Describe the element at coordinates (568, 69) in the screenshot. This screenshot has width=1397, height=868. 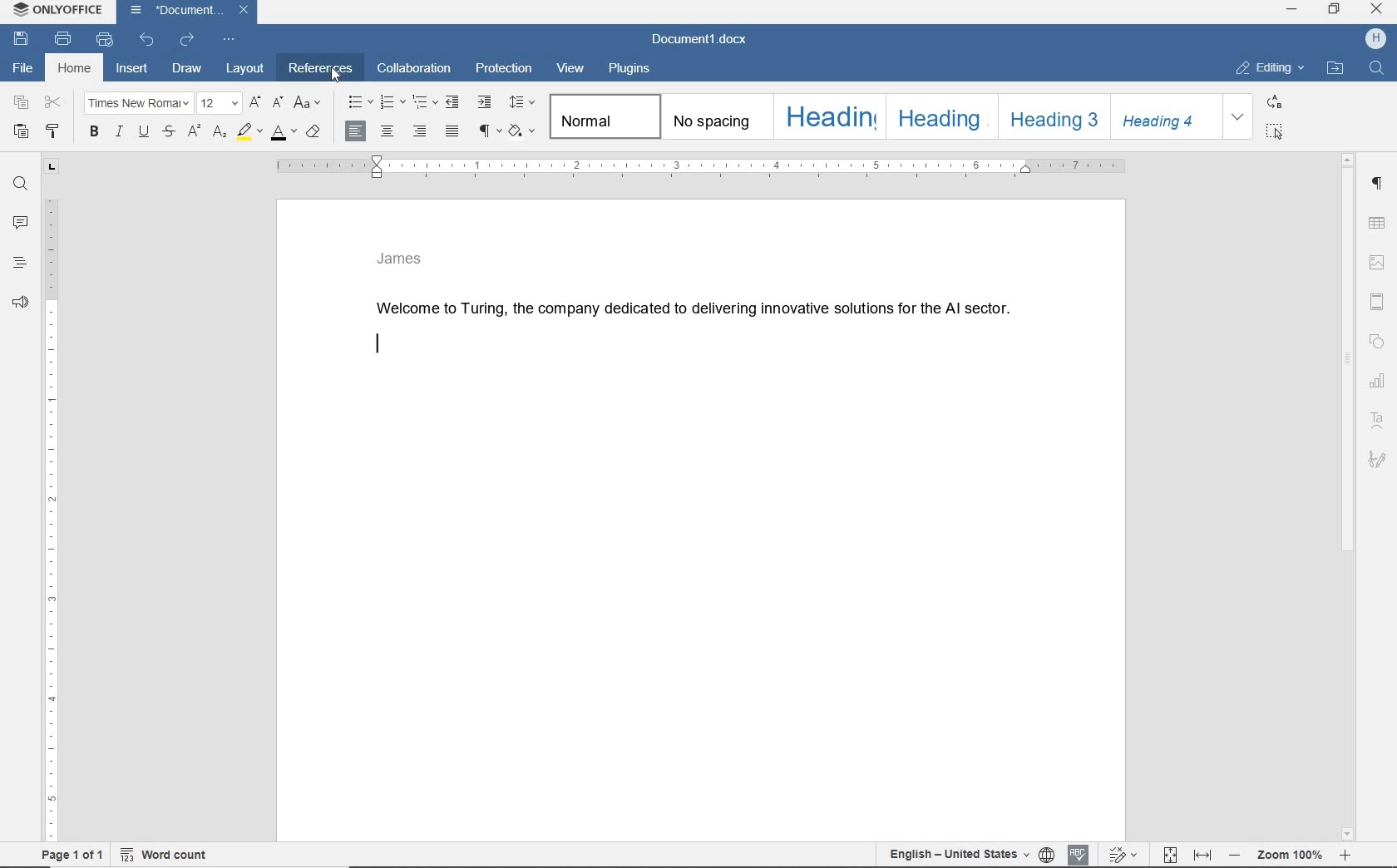
I see `view` at that location.